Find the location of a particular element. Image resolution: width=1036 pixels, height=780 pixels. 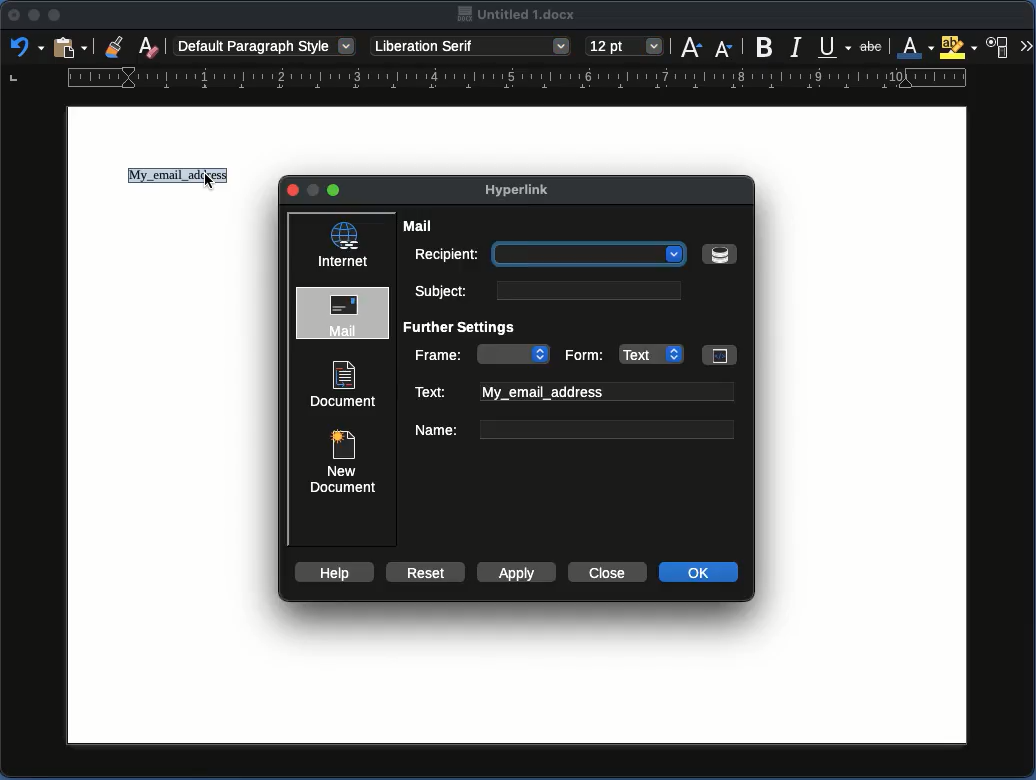

Form is located at coordinates (648, 353).